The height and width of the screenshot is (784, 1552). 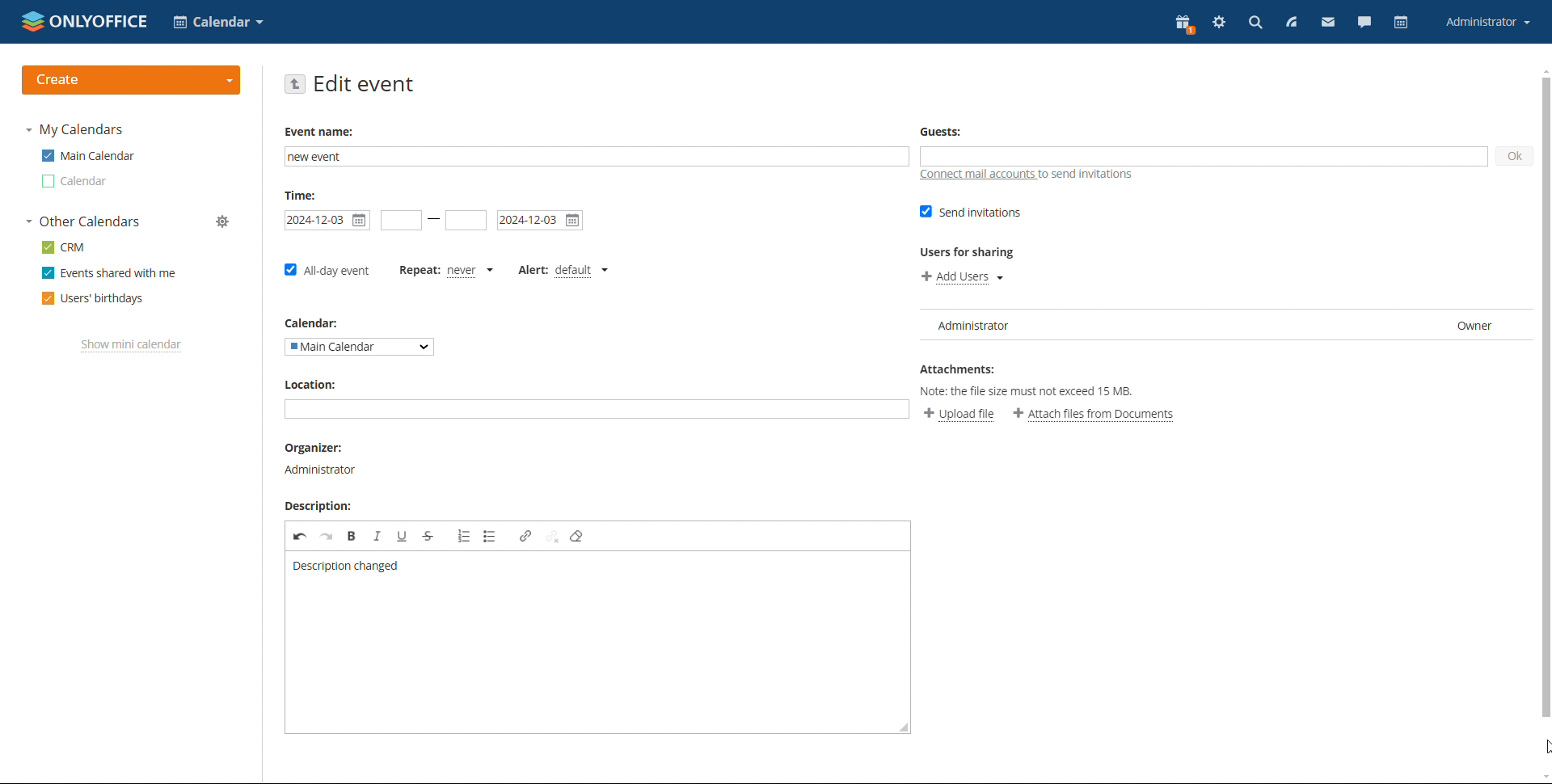 I want to click on crm, so click(x=62, y=248).